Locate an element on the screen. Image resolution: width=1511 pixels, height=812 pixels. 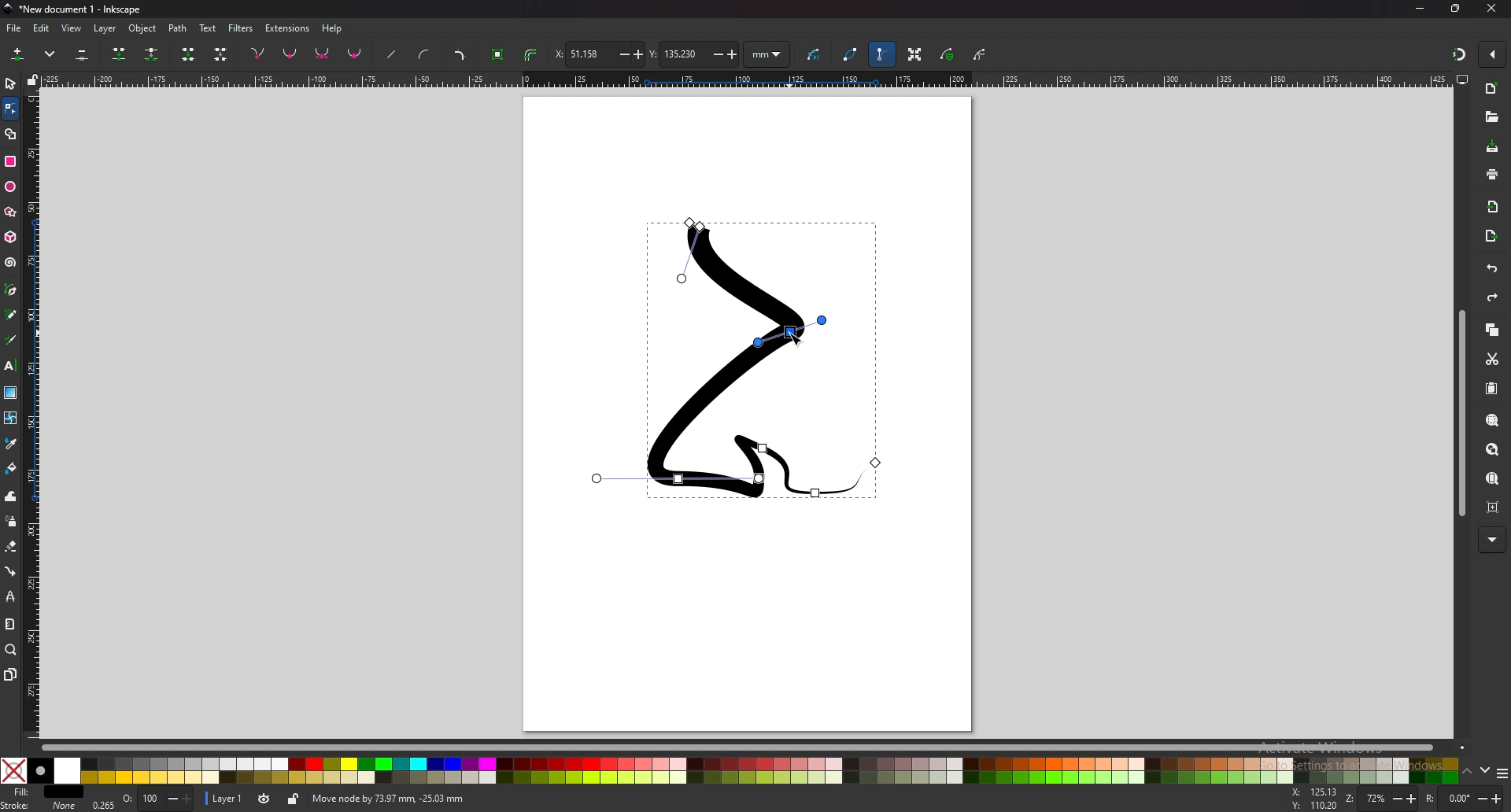
delete segment between two non endpoint nodes is located at coordinates (222, 55).